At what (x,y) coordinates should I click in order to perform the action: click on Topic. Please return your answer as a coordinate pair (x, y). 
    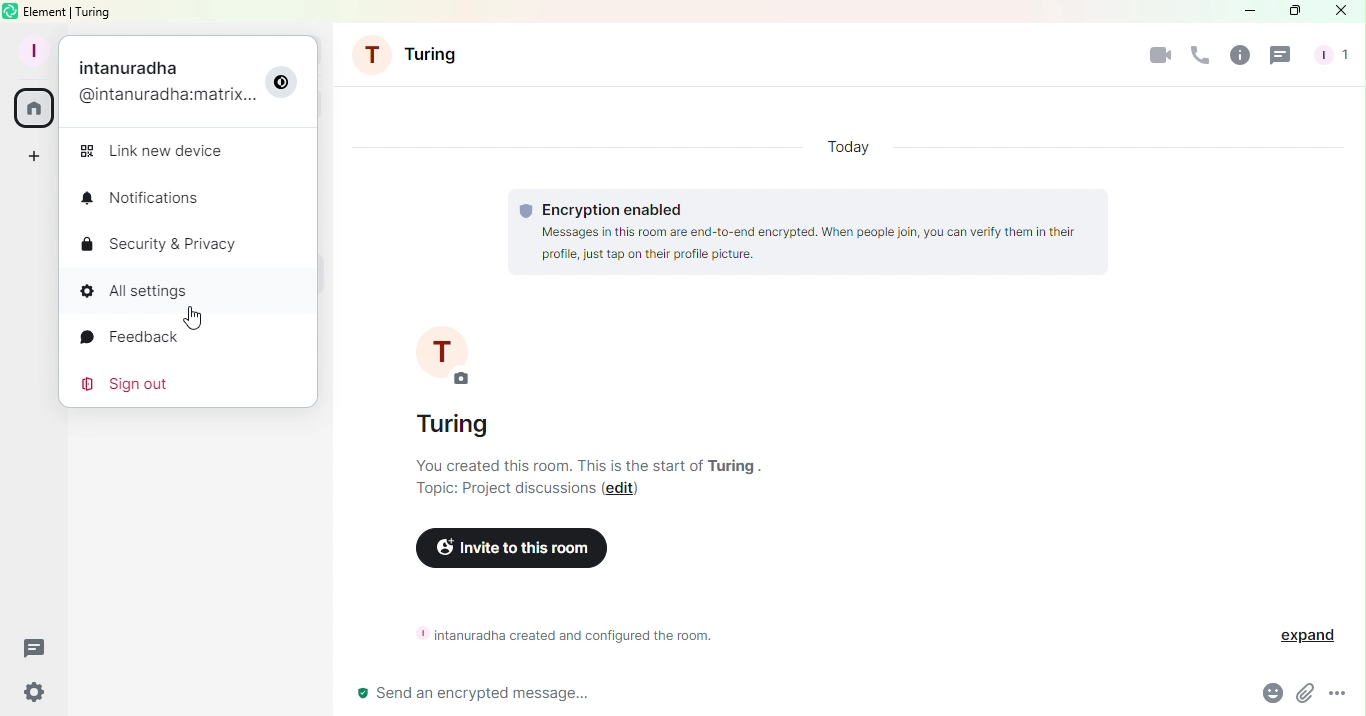
    Looking at the image, I should click on (497, 491).